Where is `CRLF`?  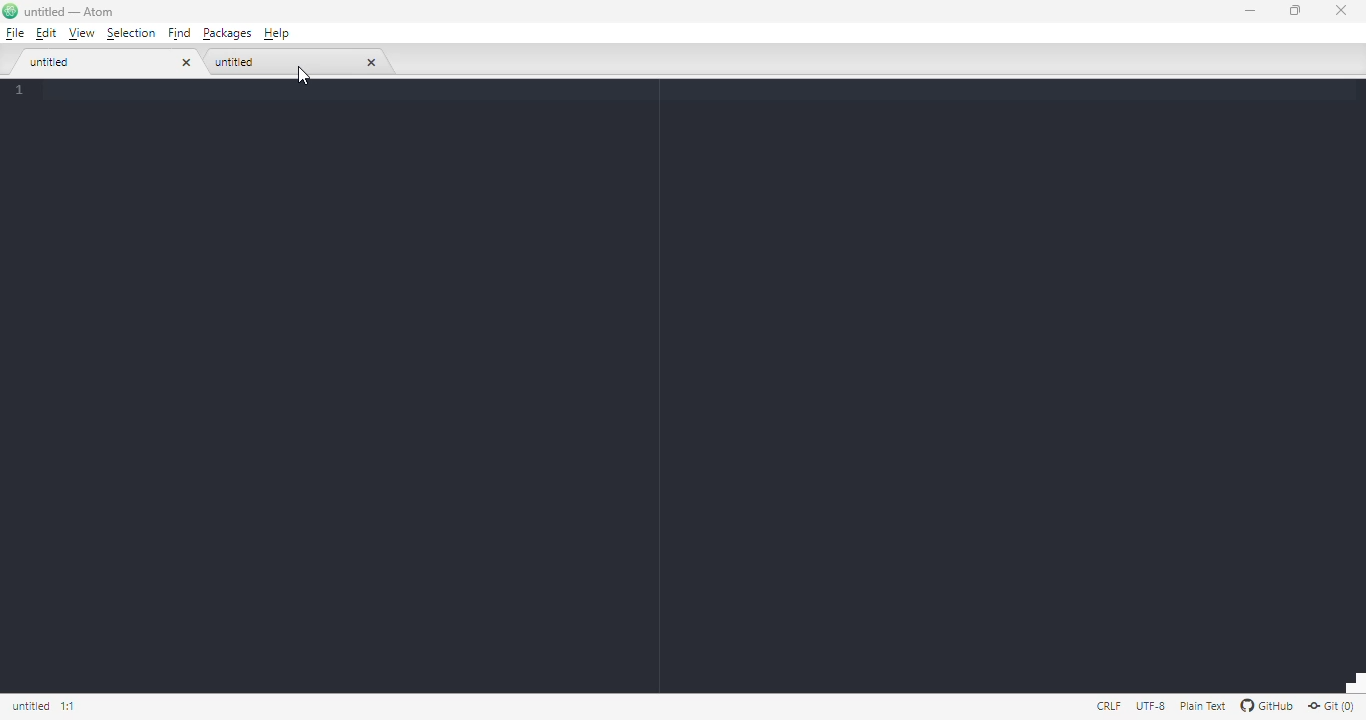
CRLF is located at coordinates (1106, 706).